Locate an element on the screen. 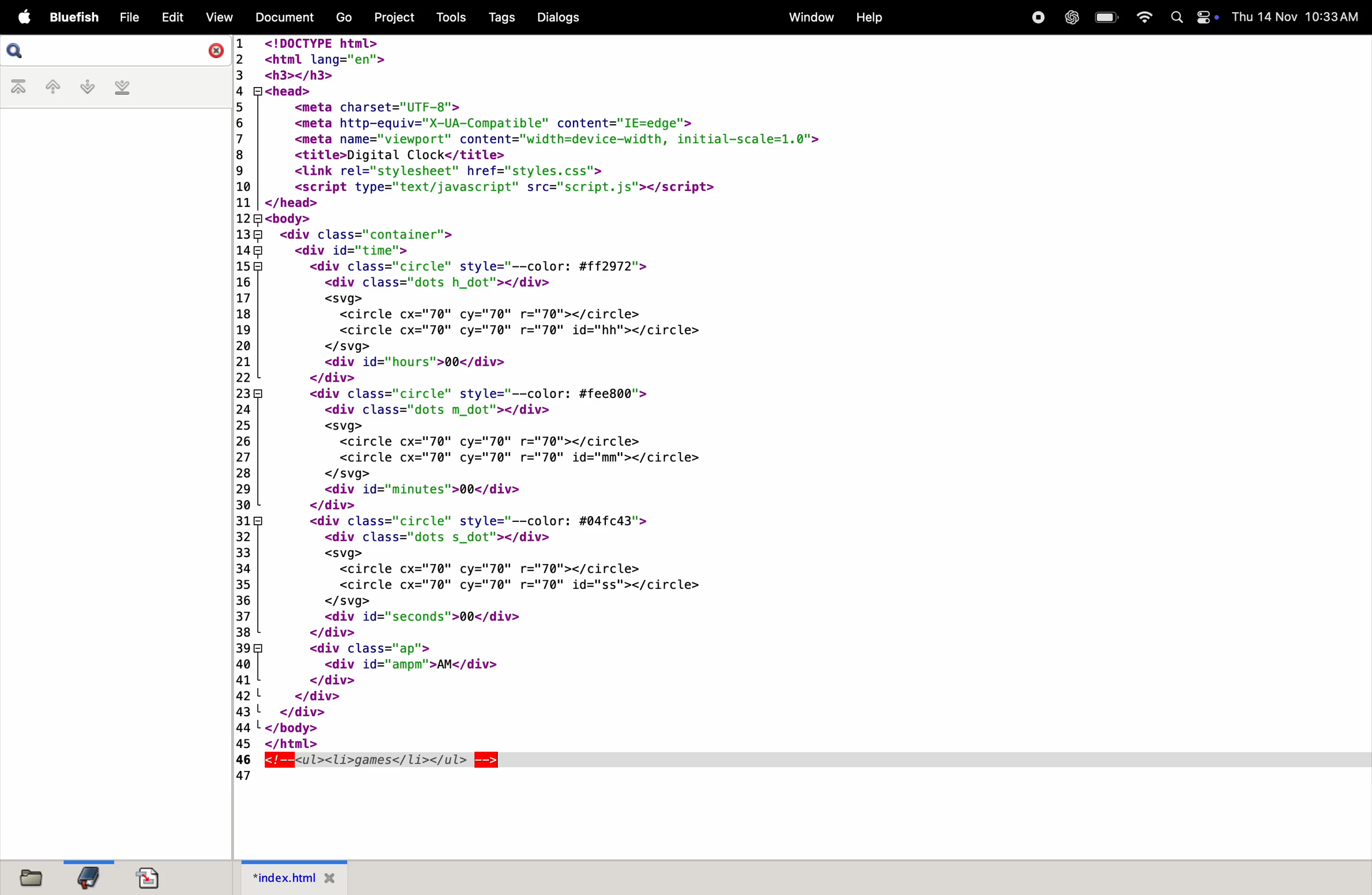 Image resolution: width=1372 pixels, height=895 pixels. last bookmark is located at coordinates (123, 89).